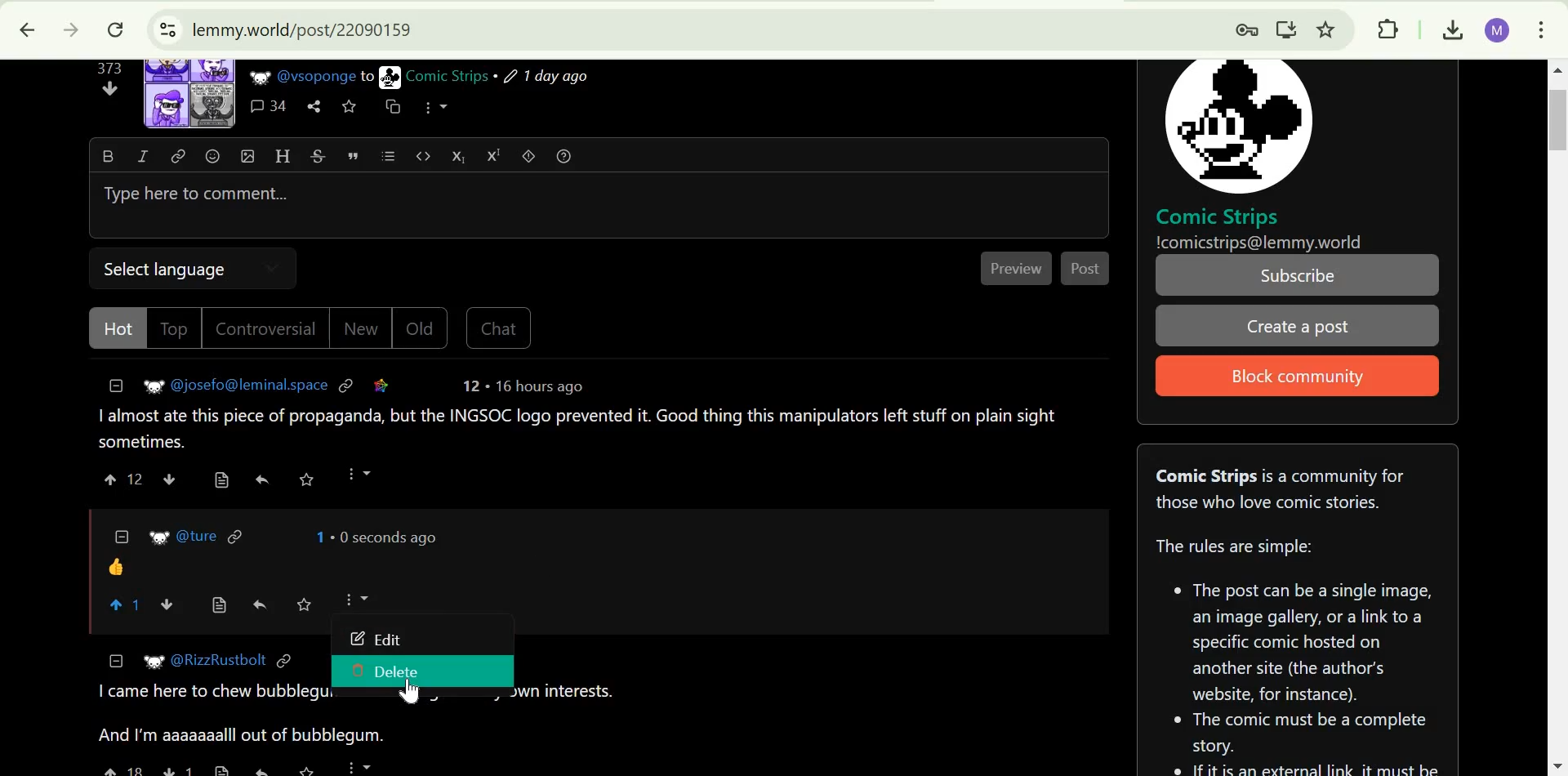 The width and height of the screenshot is (1568, 776). I want to click on share, so click(261, 767).